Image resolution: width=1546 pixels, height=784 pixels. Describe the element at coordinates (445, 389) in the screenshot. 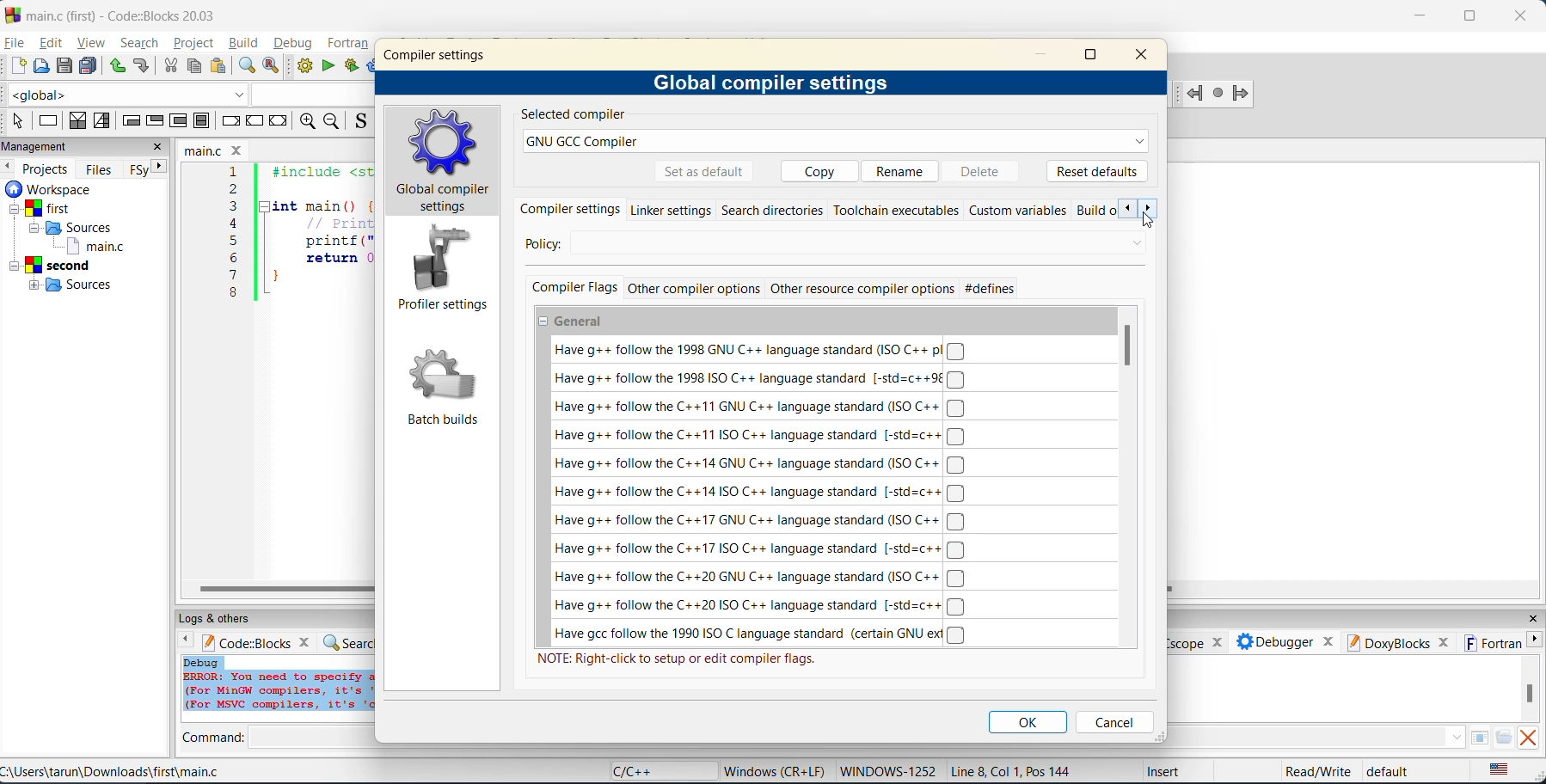

I see `batch builds` at that location.